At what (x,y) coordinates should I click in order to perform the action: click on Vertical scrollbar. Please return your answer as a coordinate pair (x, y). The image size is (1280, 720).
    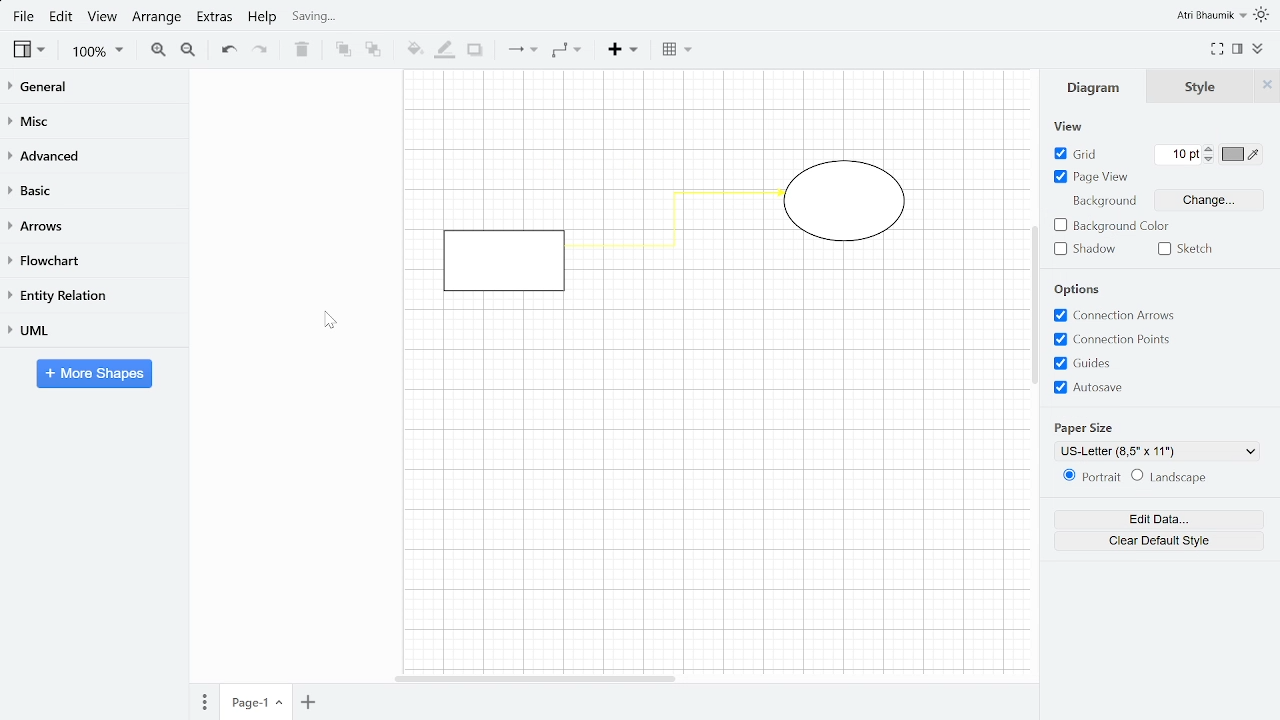
    Looking at the image, I should click on (1035, 304).